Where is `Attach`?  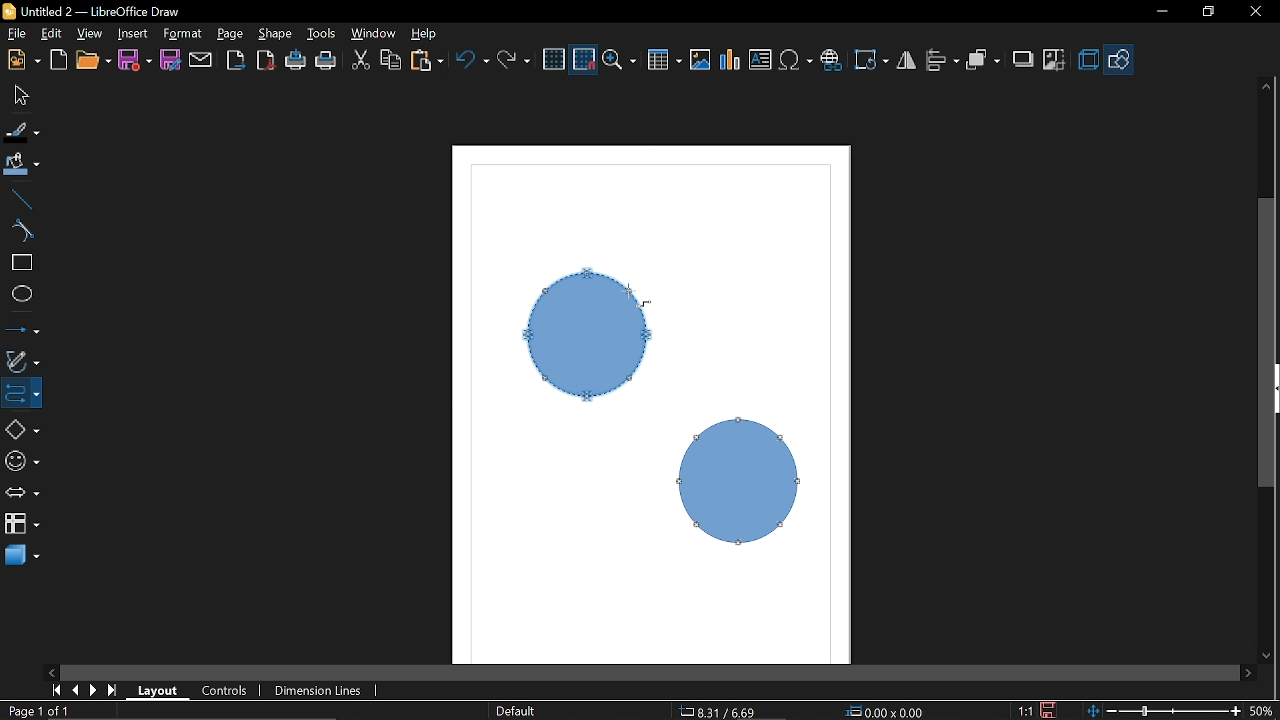 Attach is located at coordinates (201, 59).